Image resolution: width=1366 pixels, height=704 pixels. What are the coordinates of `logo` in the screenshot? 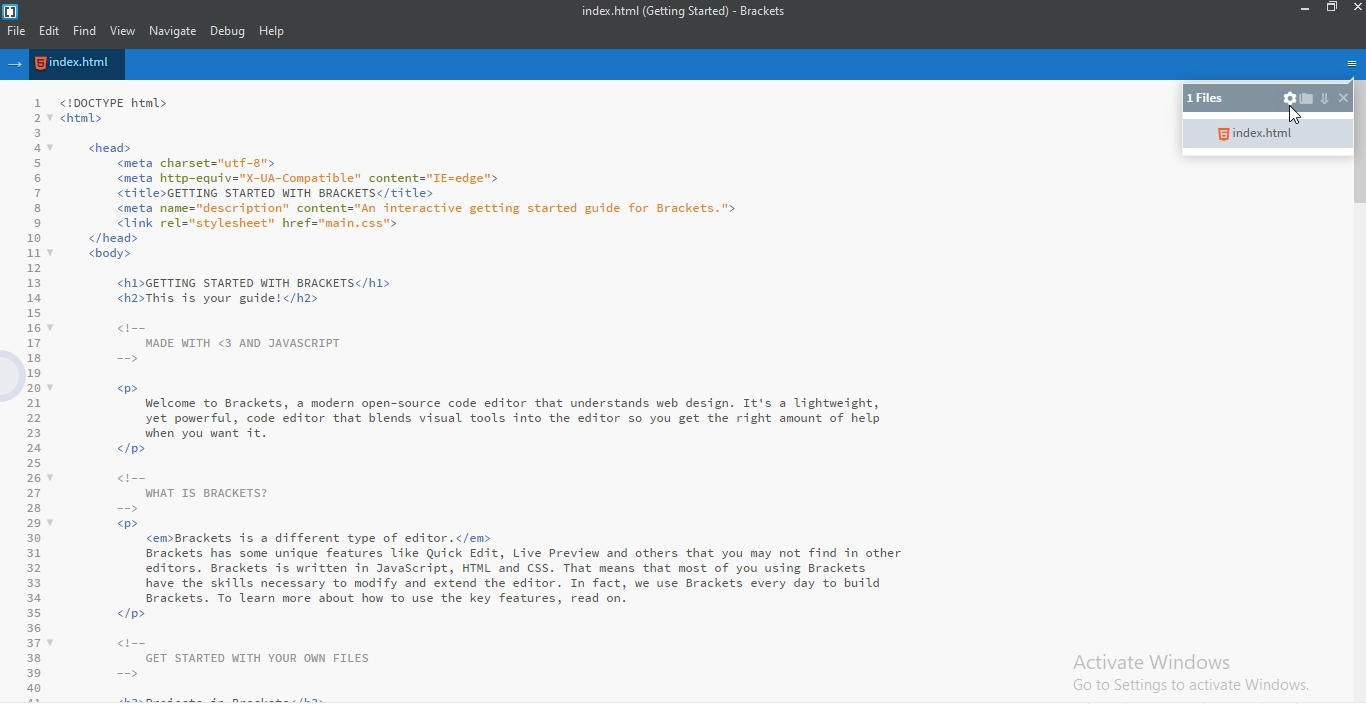 It's located at (12, 10).